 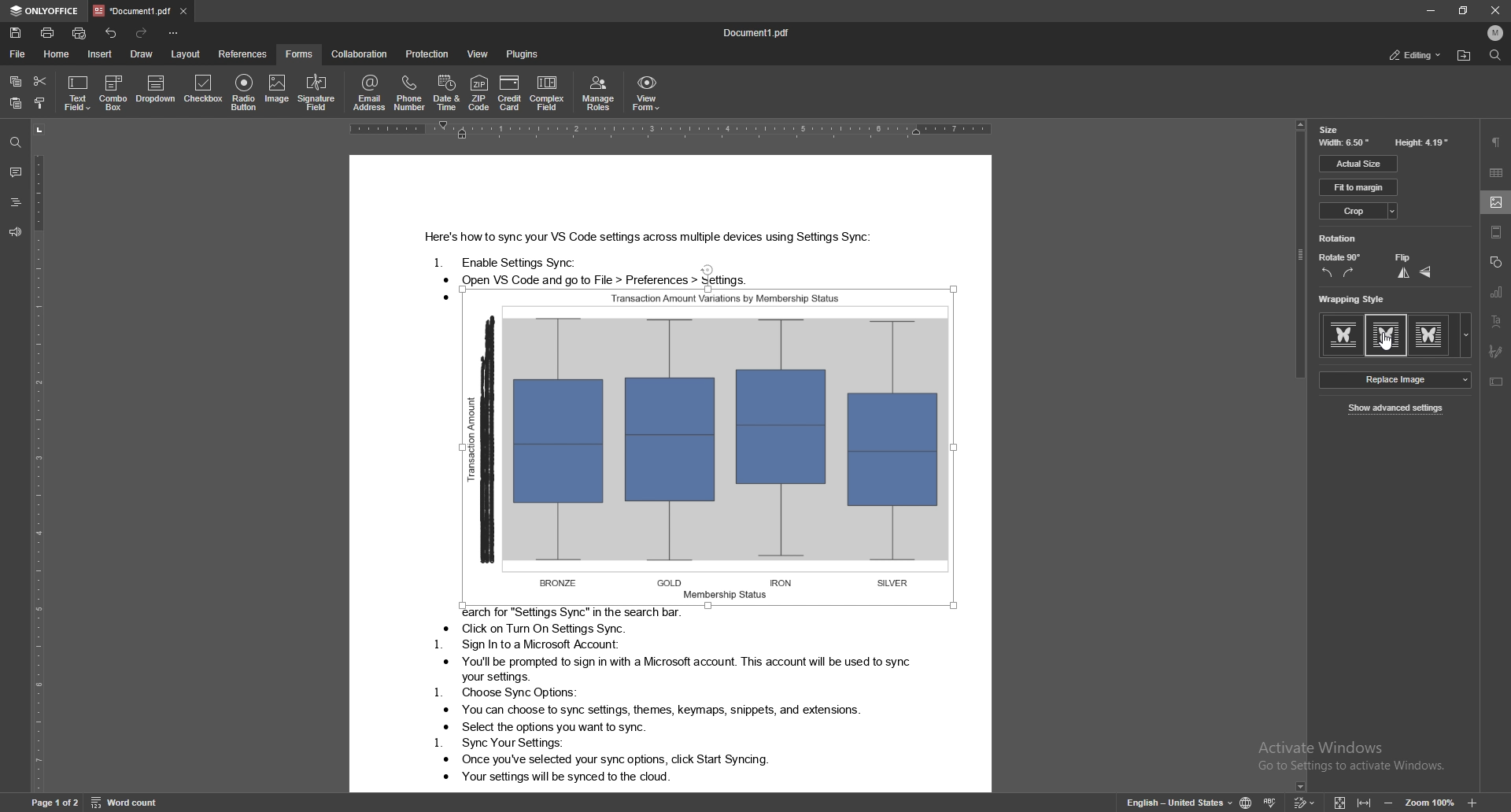 What do you see at coordinates (41, 80) in the screenshot?
I see `cut` at bounding box center [41, 80].